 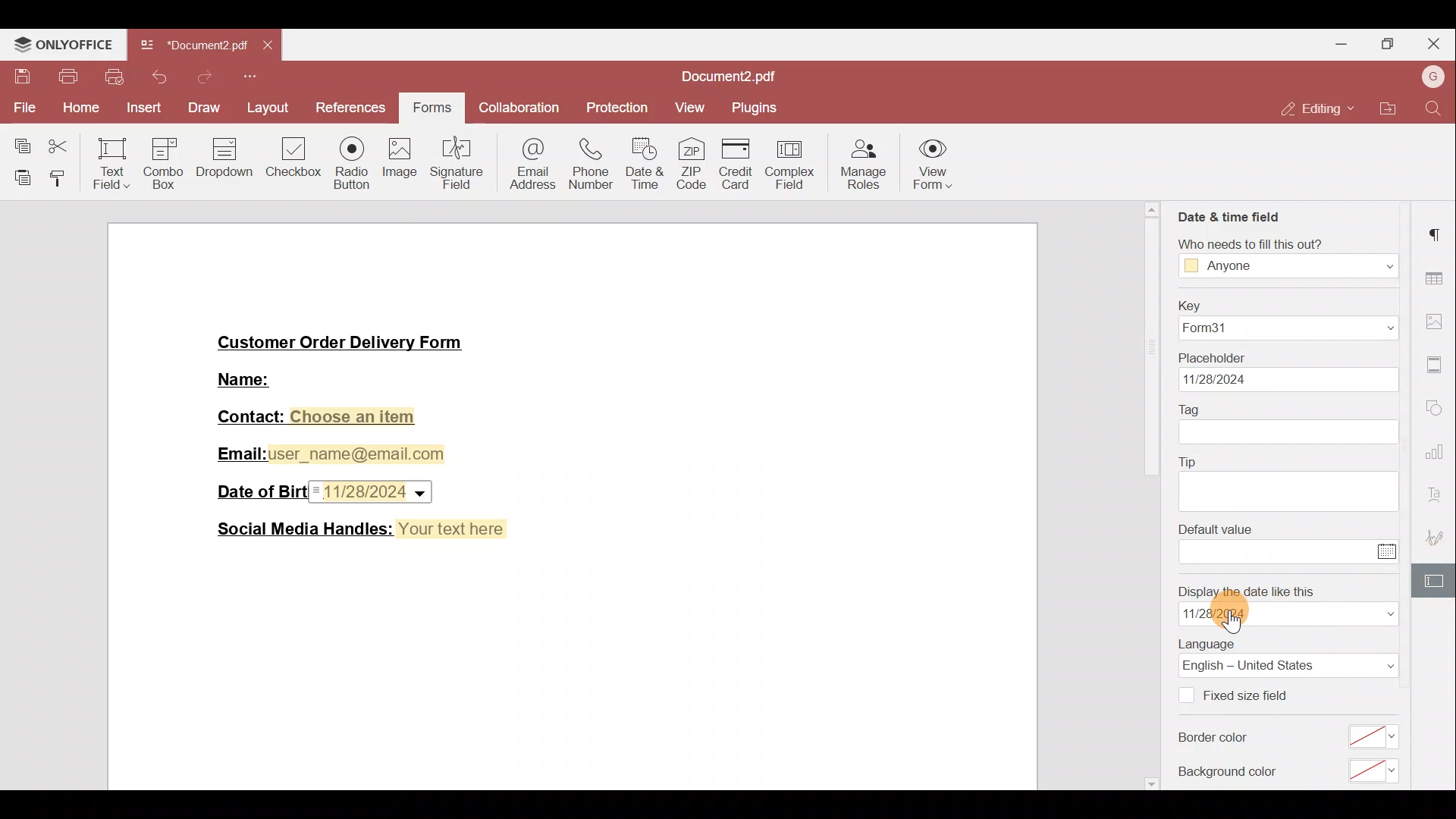 What do you see at coordinates (318, 418) in the screenshot?
I see `Contact: Choose an item` at bounding box center [318, 418].